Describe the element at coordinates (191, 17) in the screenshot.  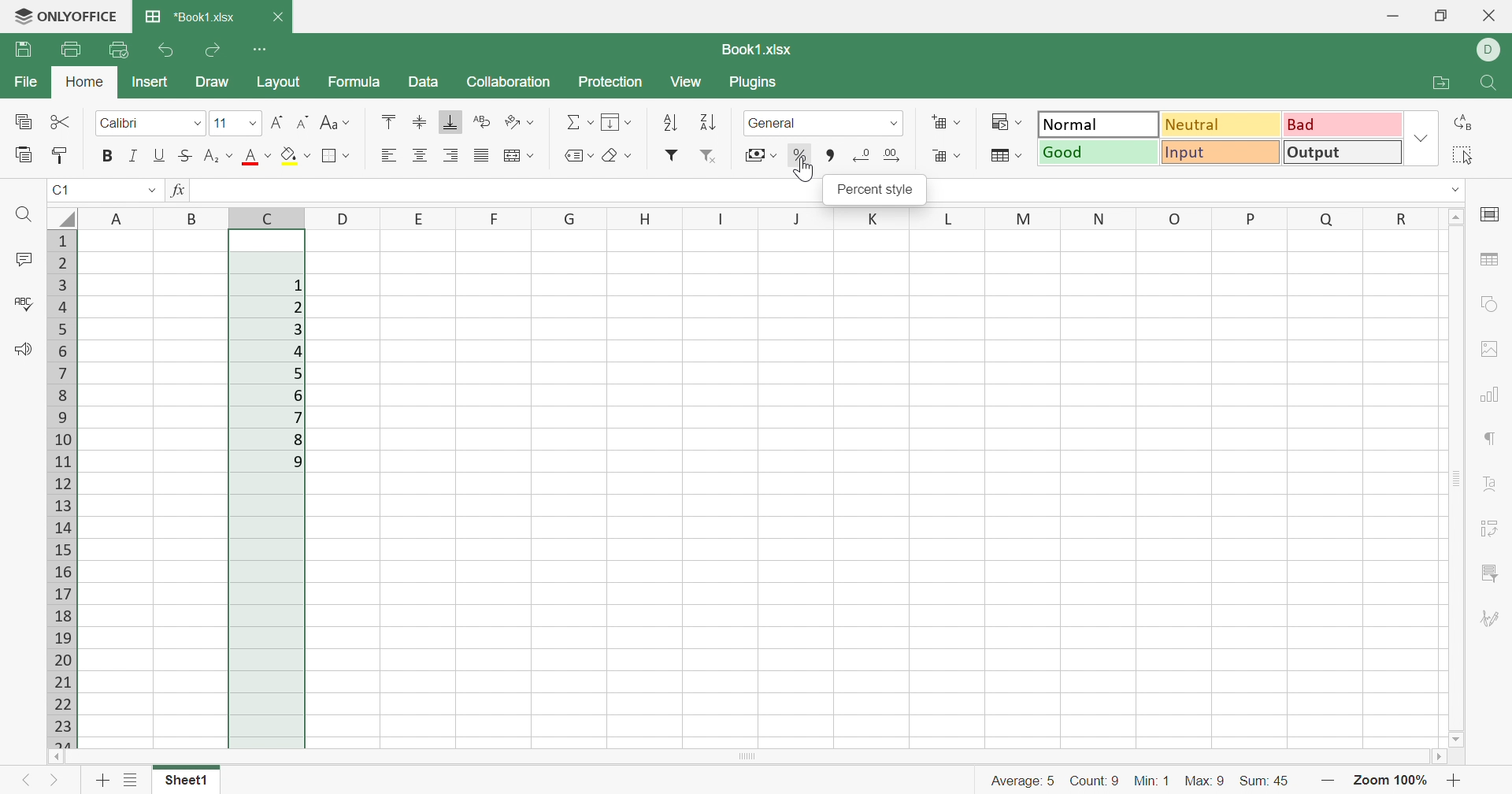
I see `*Book1.xlsx` at that location.